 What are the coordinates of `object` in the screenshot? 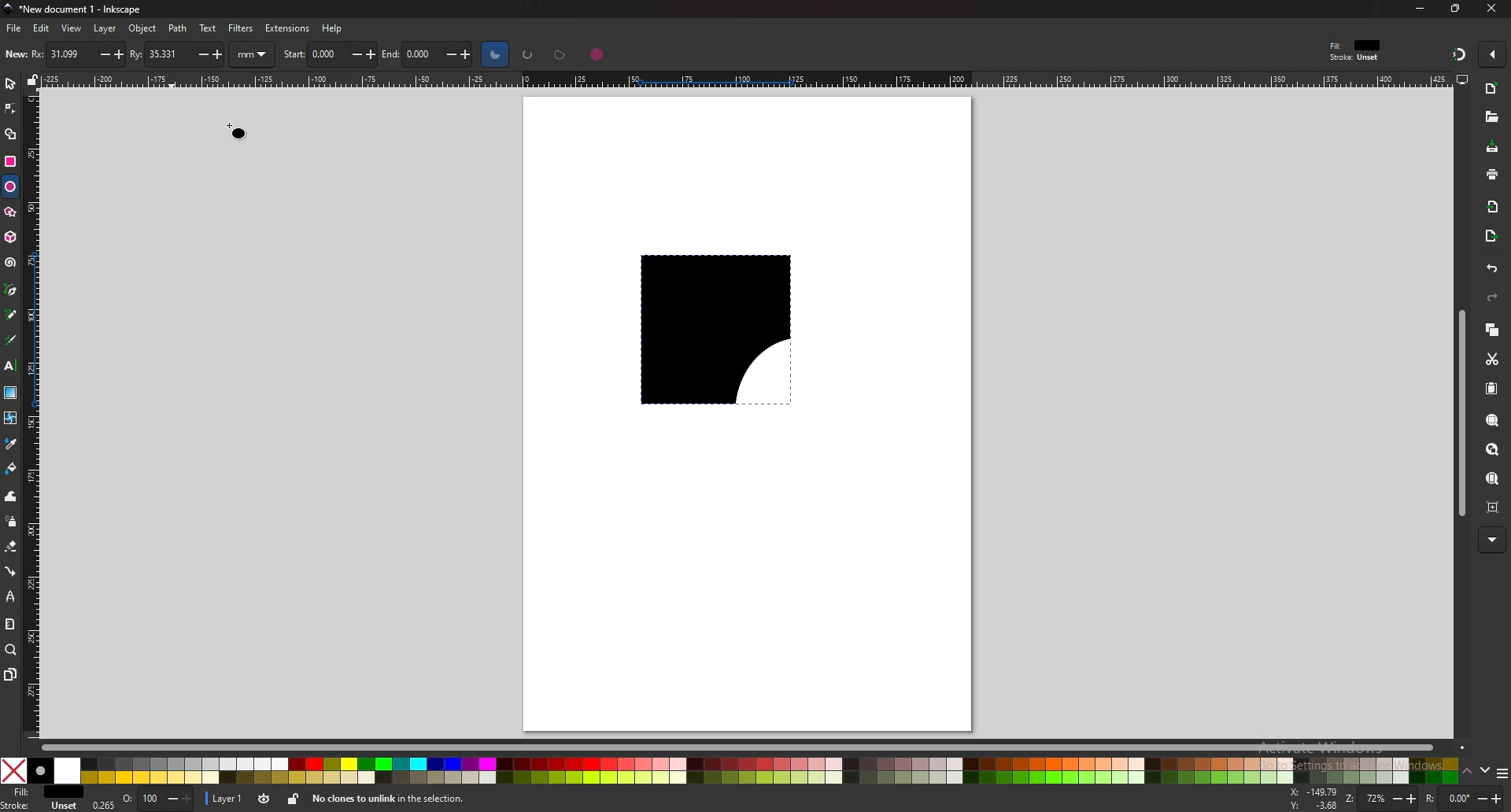 It's located at (142, 28).